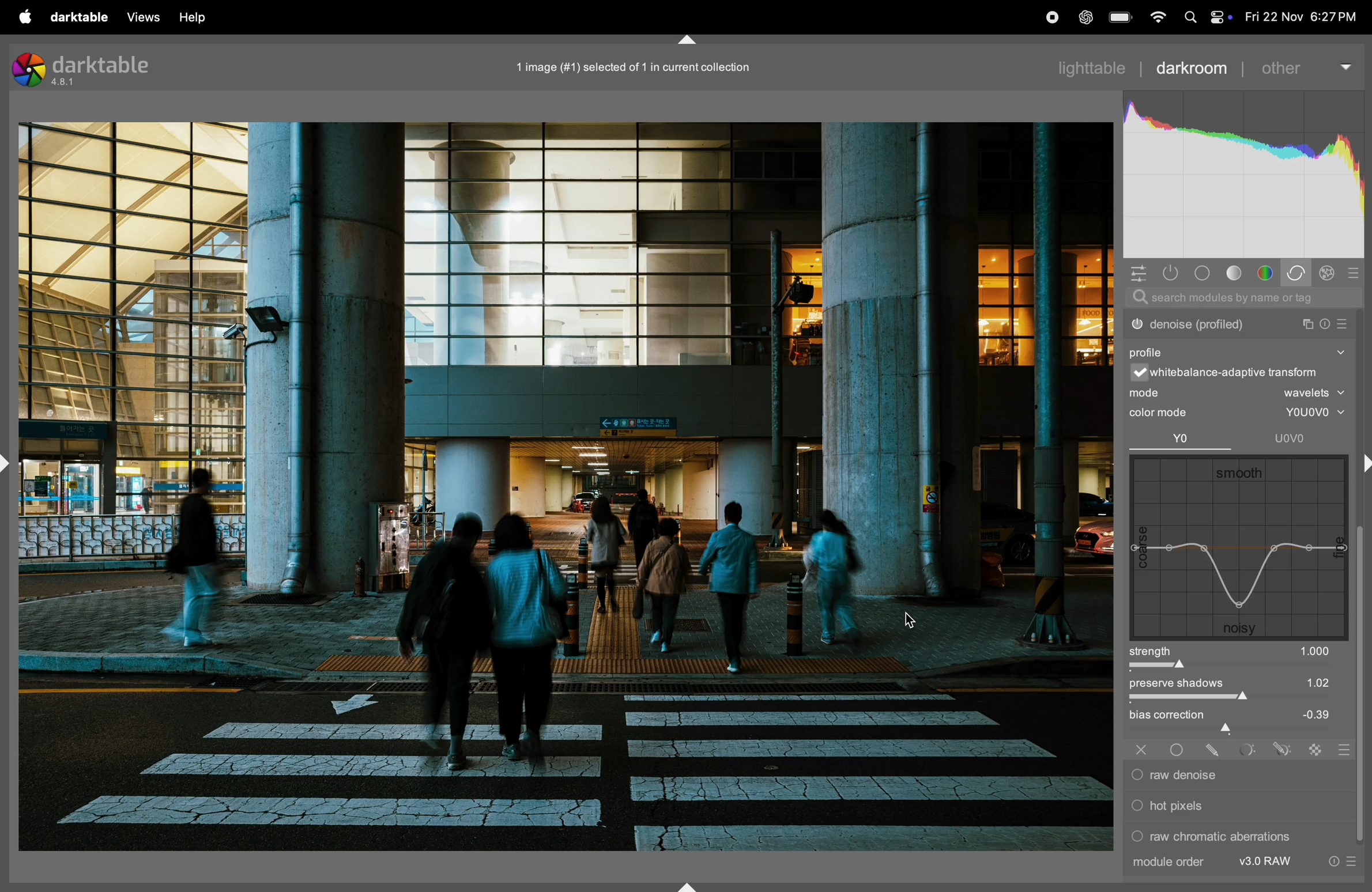 This screenshot has height=892, width=1372. What do you see at coordinates (1336, 861) in the screenshot?
I see `reset` at bounding box center [1336, 861].